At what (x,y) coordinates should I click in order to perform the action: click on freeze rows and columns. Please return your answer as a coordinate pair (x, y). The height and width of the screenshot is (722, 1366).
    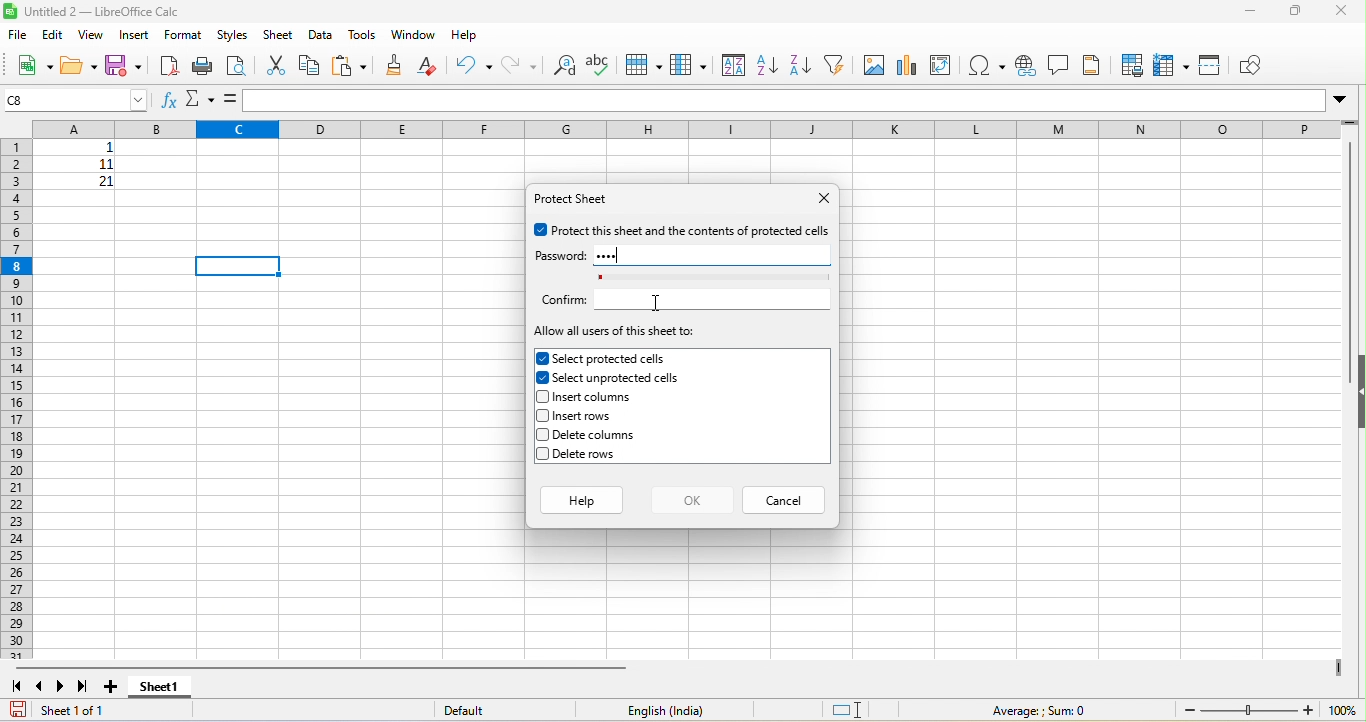
    Looking at the image, I should click on (1170, 65).